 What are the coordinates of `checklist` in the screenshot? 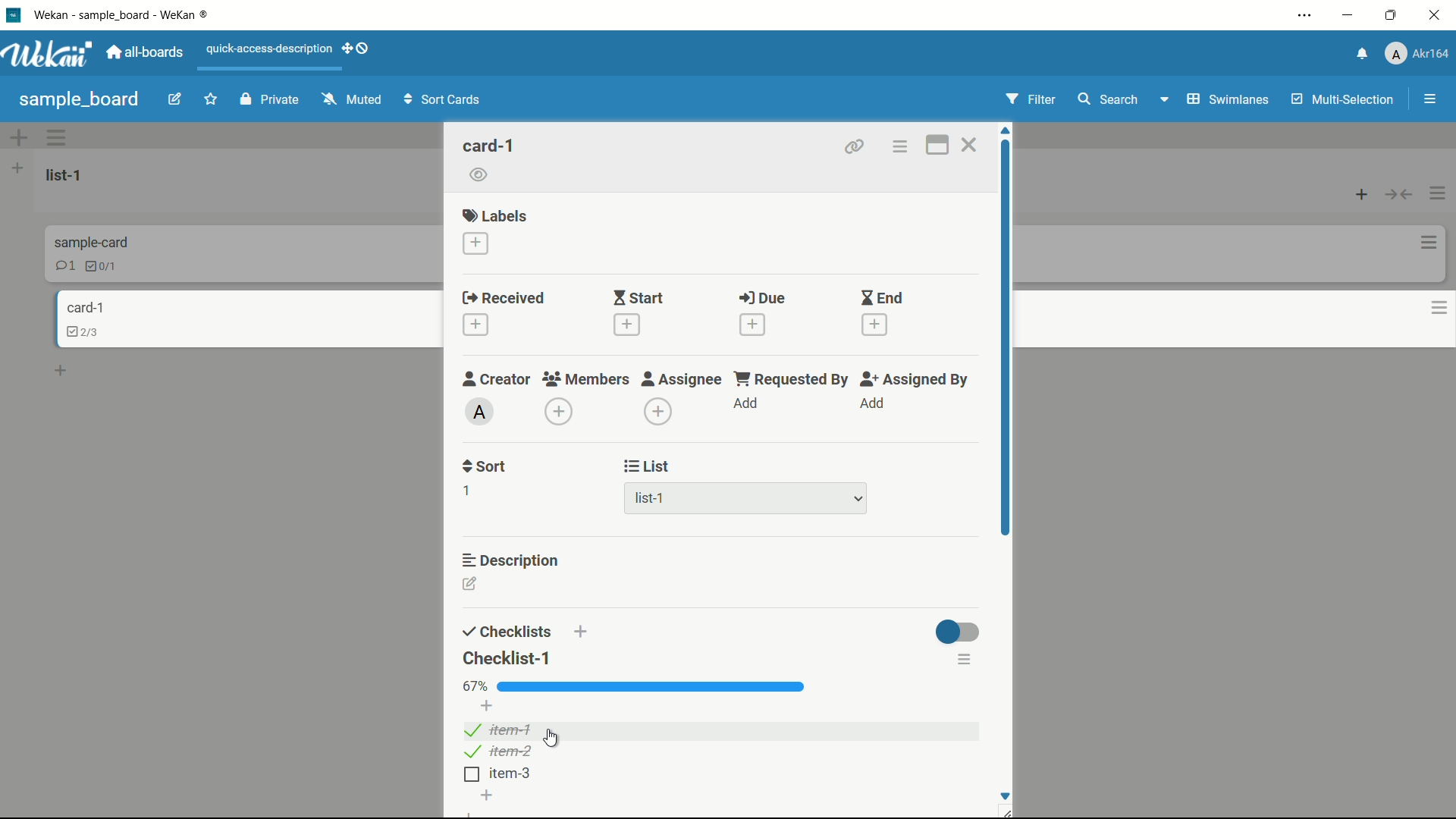 It's located at (104, 268).